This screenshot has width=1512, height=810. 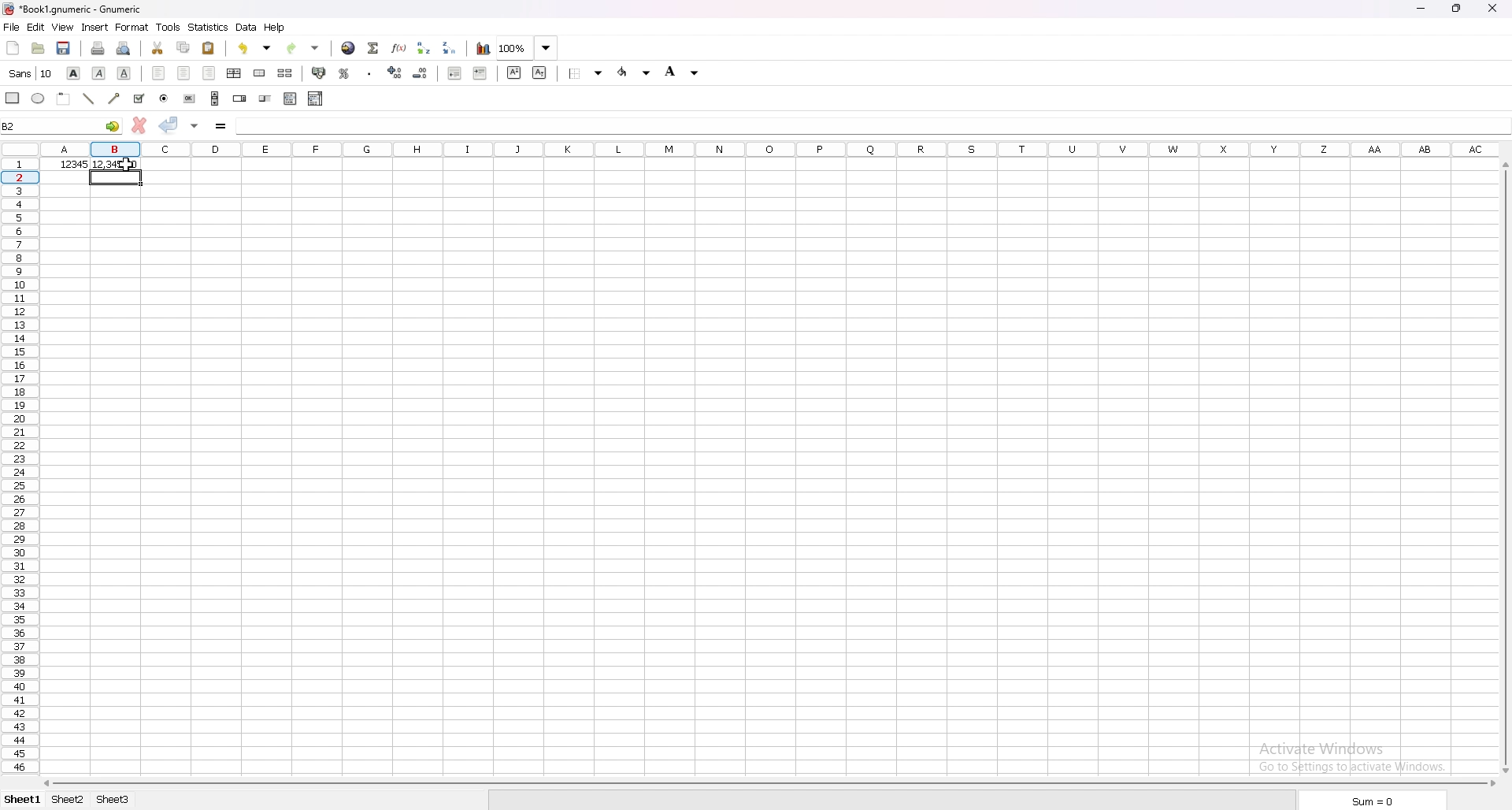 I want to click on align left, so click(x=161, y=72).